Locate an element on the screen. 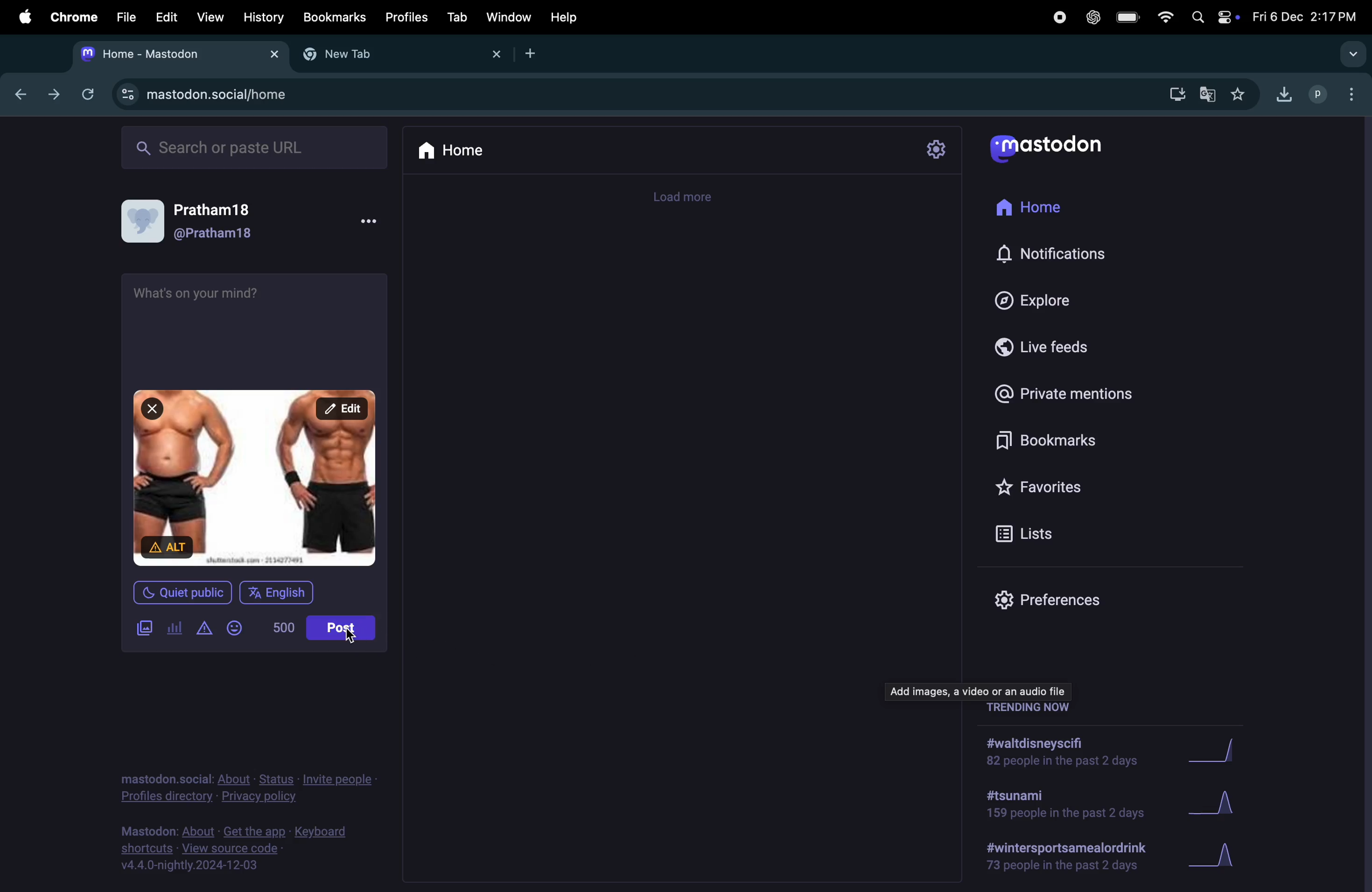 This screenshot has width=1372, height=892. search url is located at coordinates (256, 146).